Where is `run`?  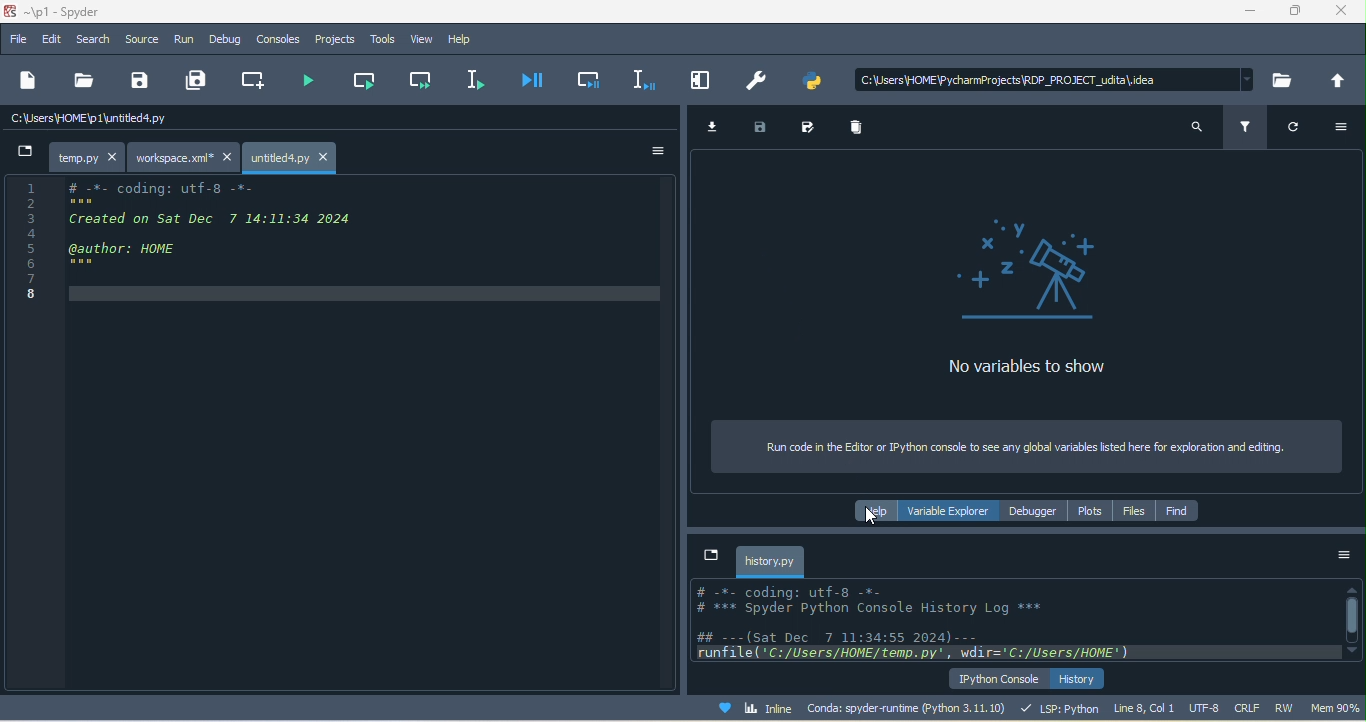
run is located at coordinates (184, 41).